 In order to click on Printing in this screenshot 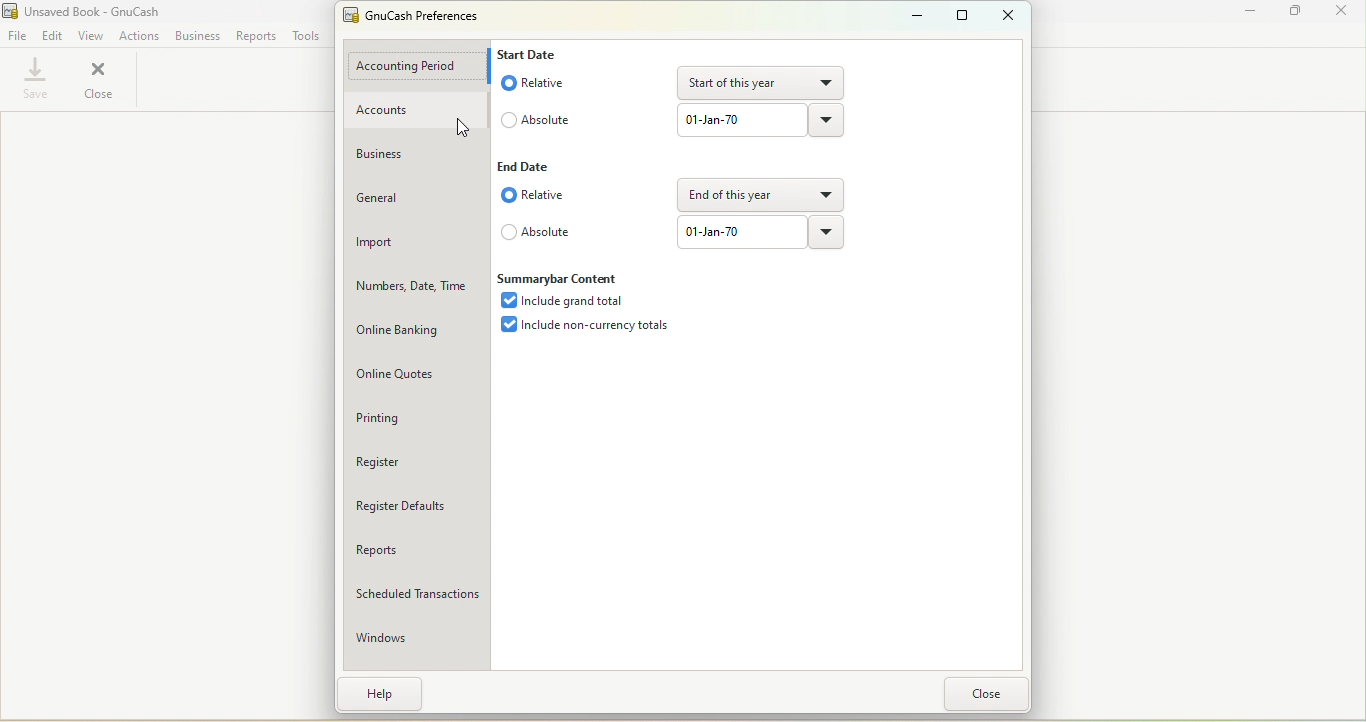, I will do `click(409, 417)`.